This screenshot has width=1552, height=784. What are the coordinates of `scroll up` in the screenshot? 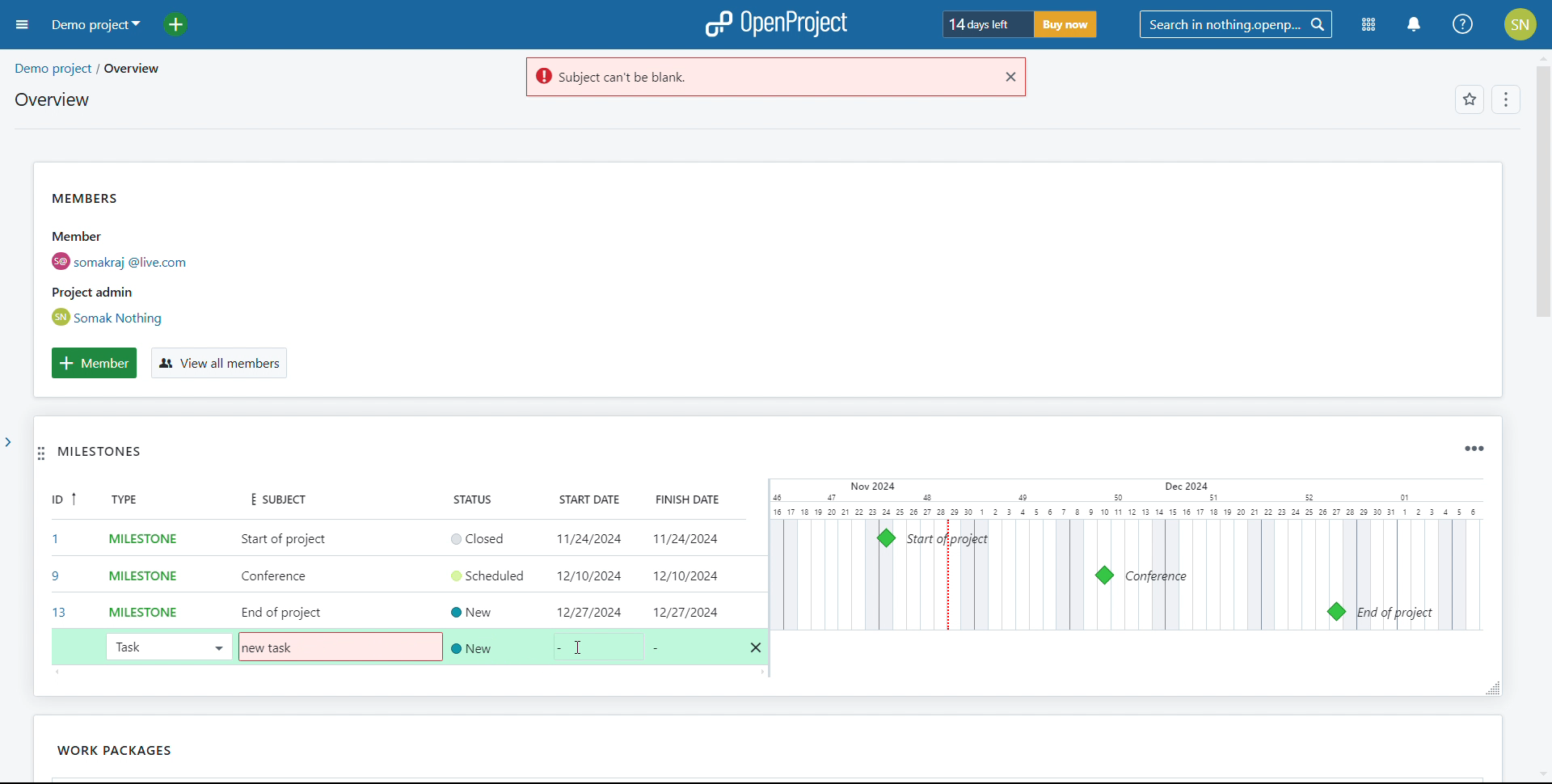 It's located at (1541, 57).